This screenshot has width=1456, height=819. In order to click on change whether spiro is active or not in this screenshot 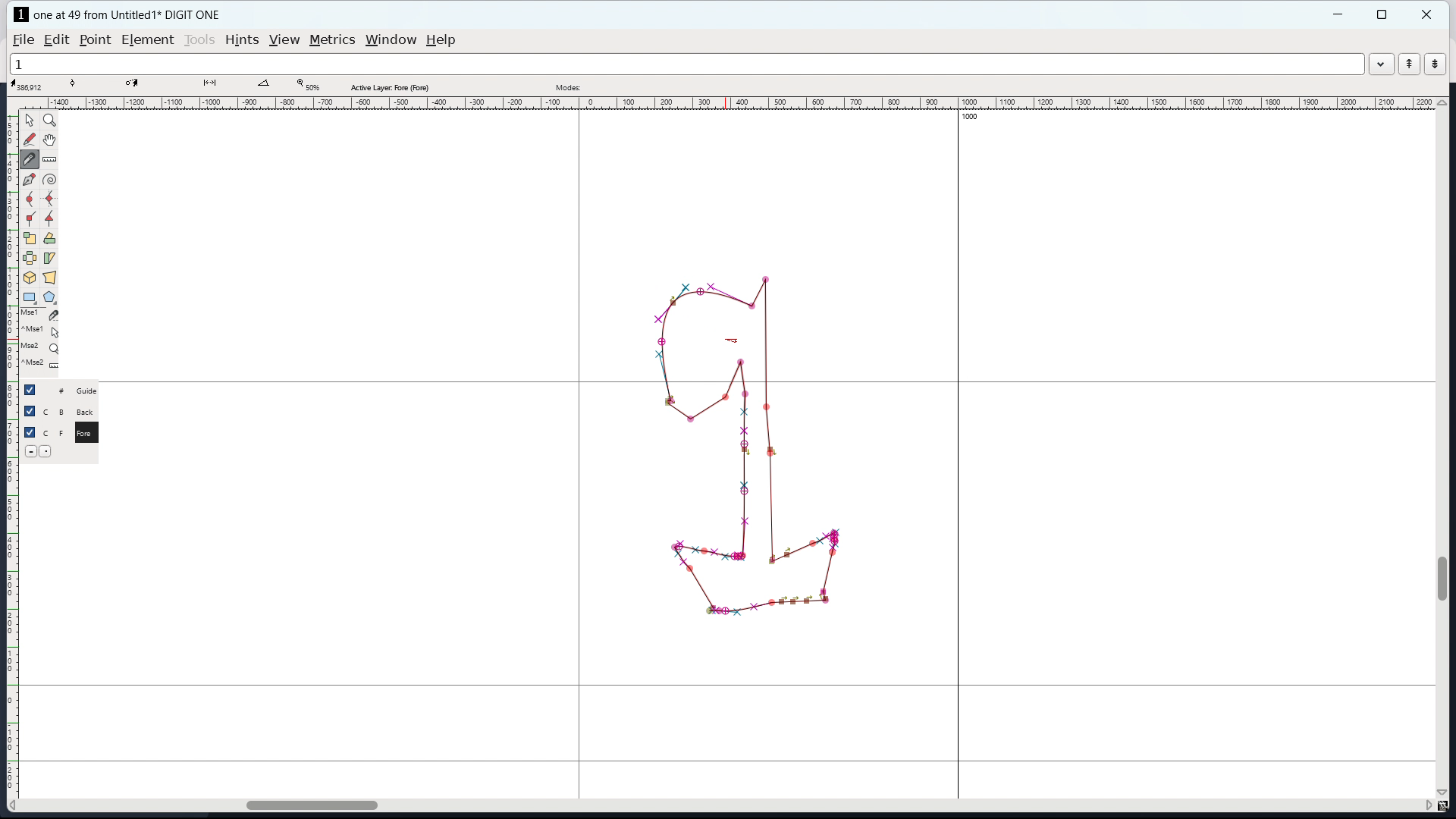, I will do `click(49, 180)`.